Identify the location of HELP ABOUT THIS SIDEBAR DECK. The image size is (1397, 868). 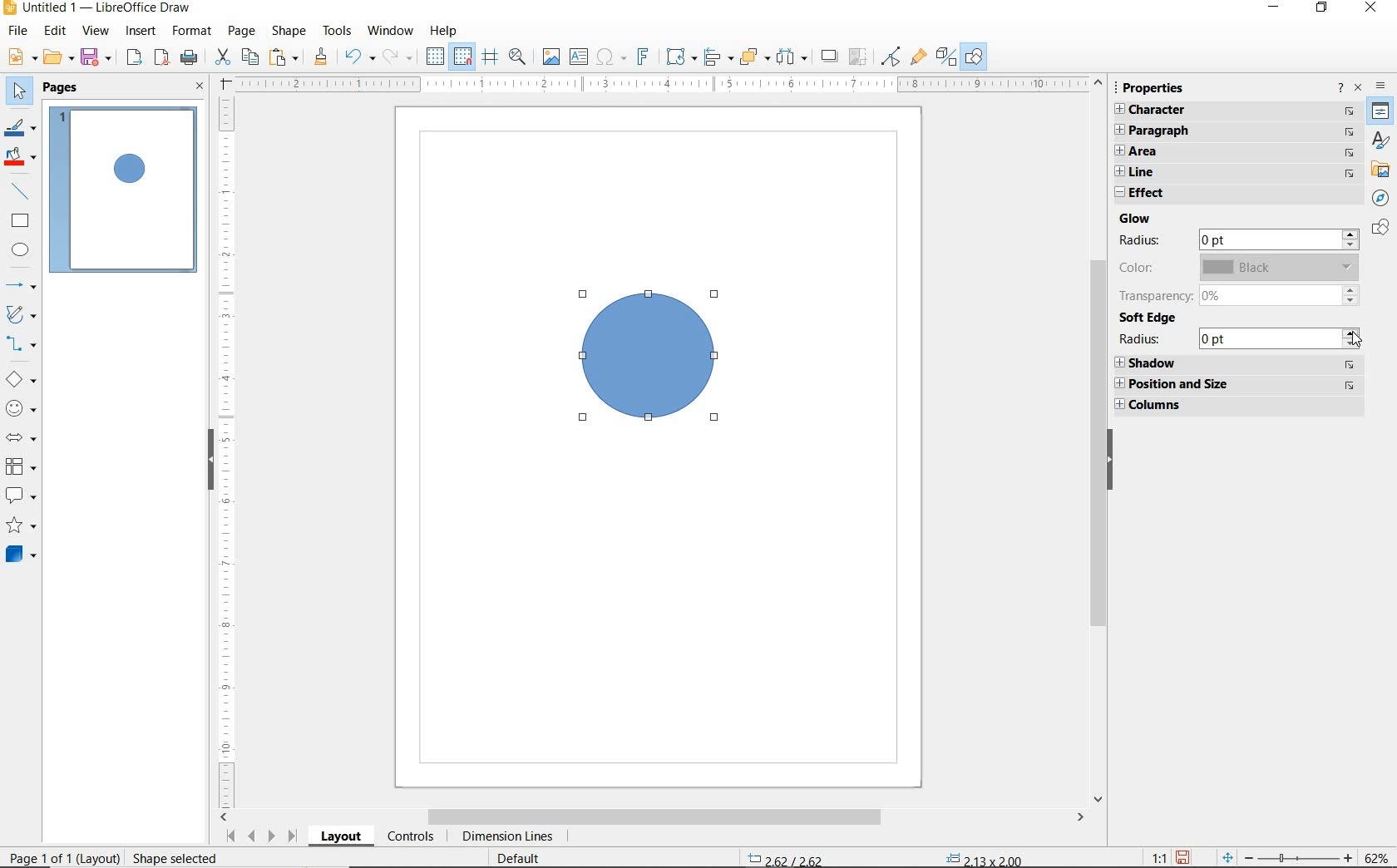
(1340, 89).